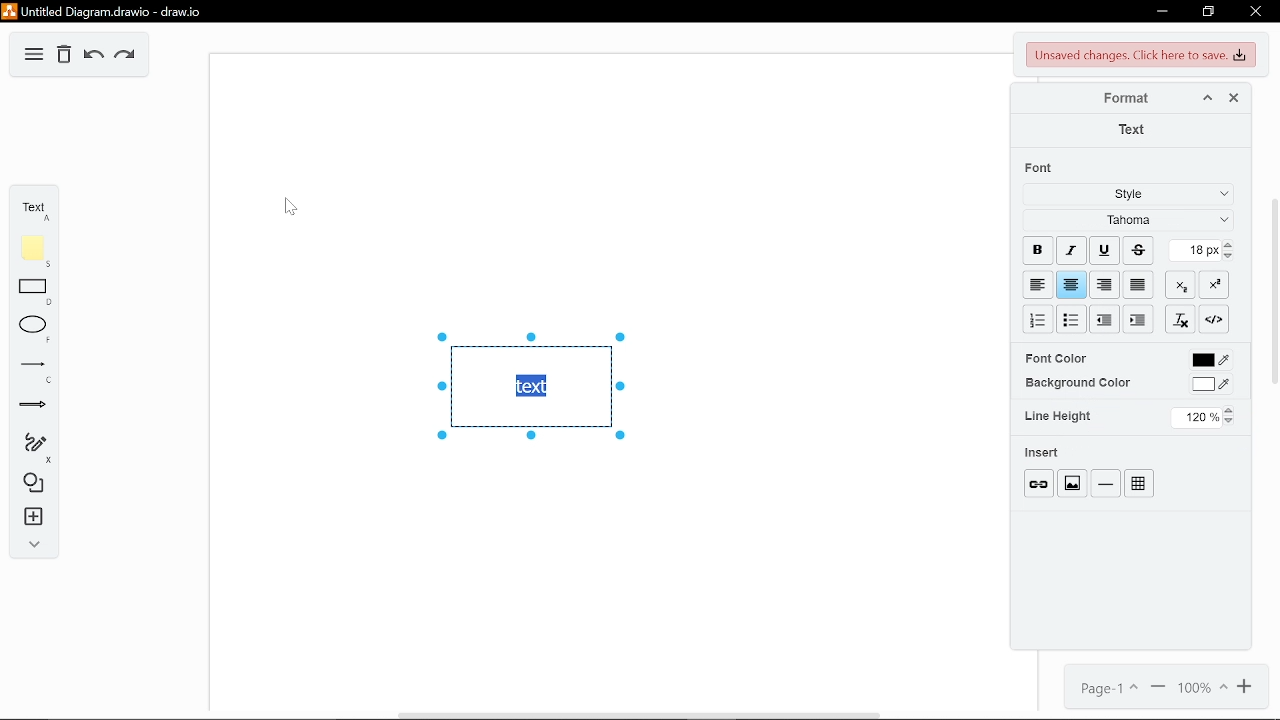  Describe the element at coordinates (1104, 482) in the screenshot. I see `line` at that location.